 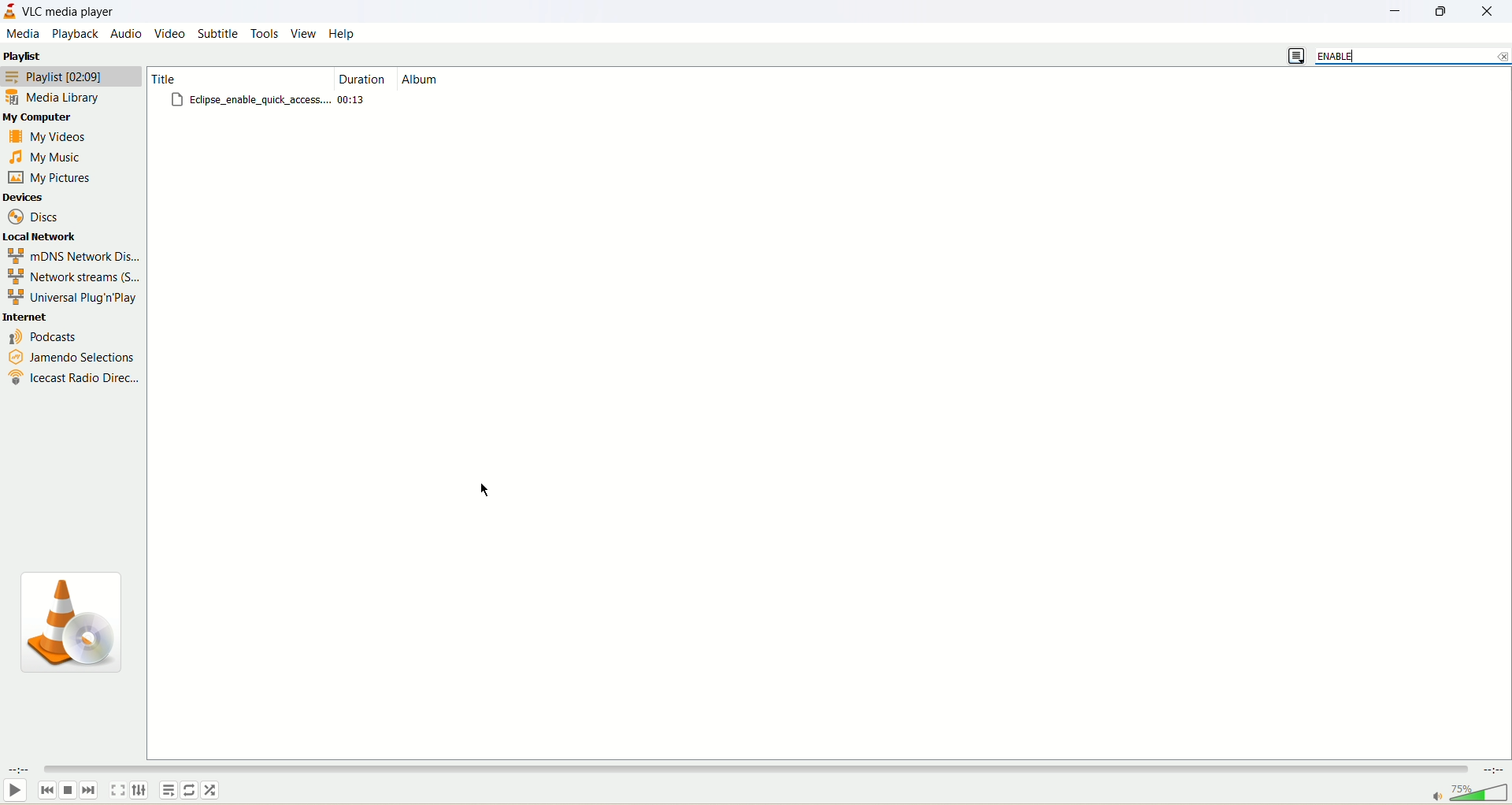 I want to click on Jamendo selections, so click(x=70, y=357).